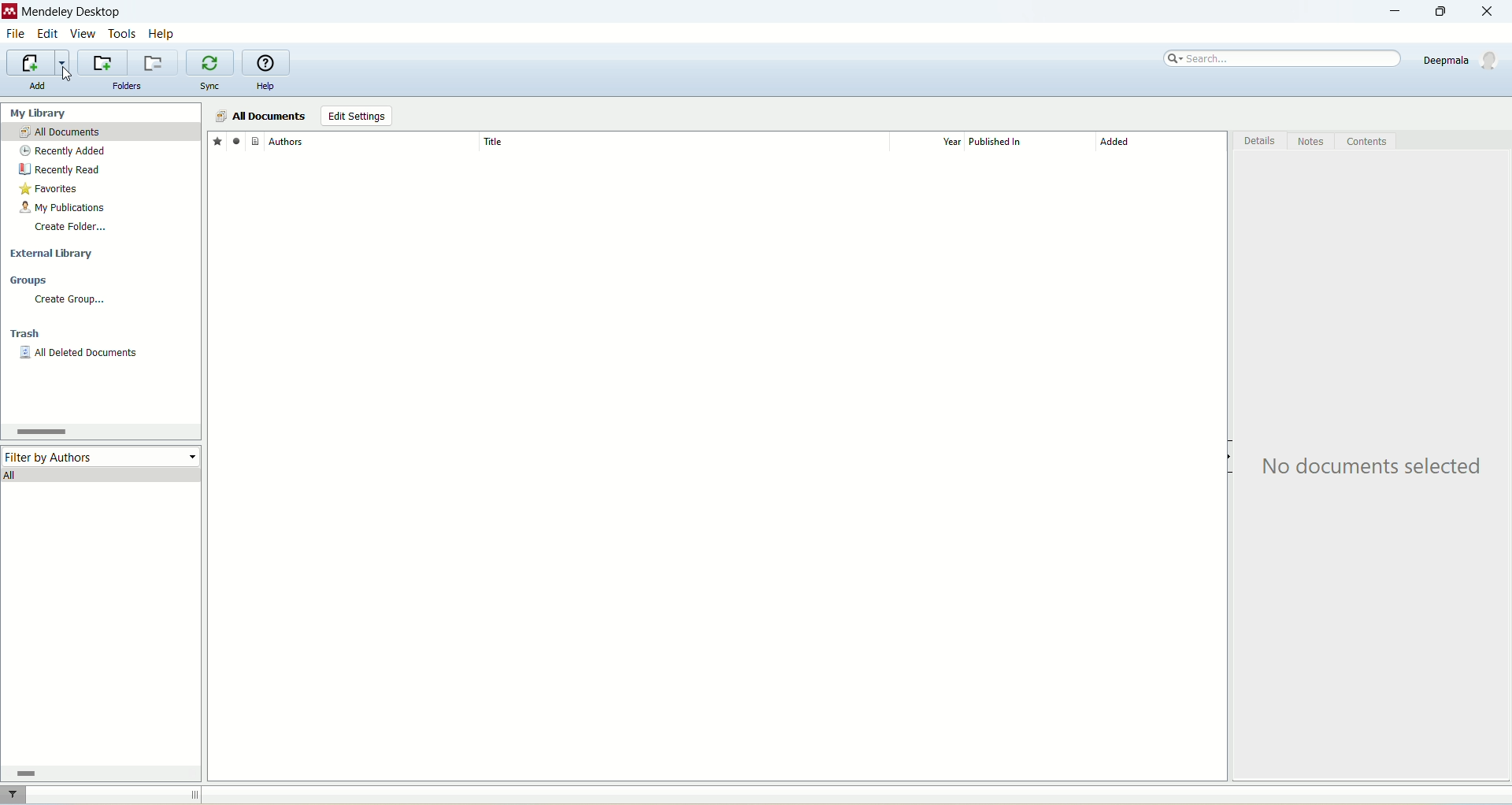 The width and height of the screenshot is (1512, 805). Describe the element at coordinates (70, 226) in the screenshot. I see `create folder` at that location.